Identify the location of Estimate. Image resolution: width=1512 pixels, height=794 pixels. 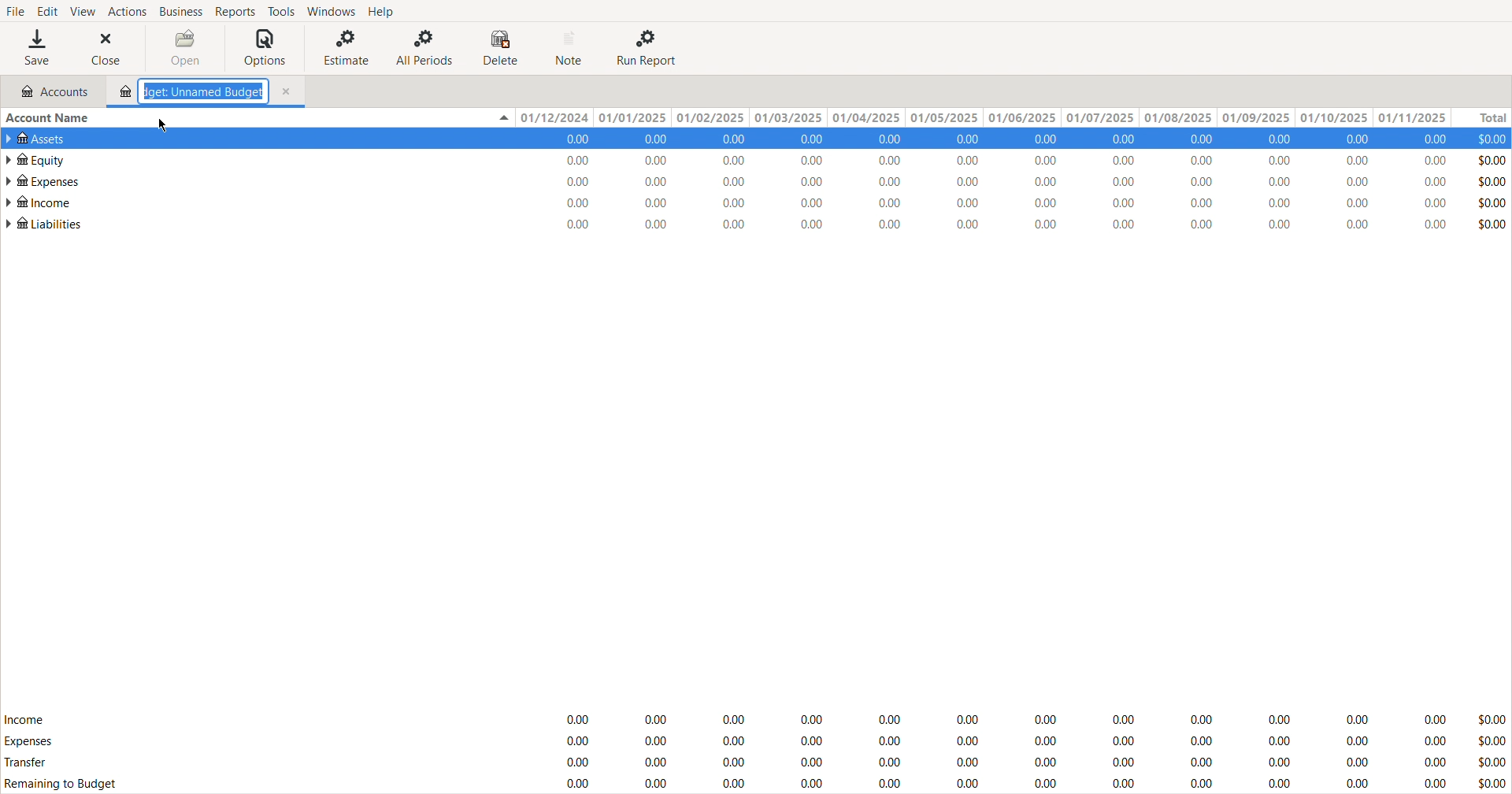
(343, 47).